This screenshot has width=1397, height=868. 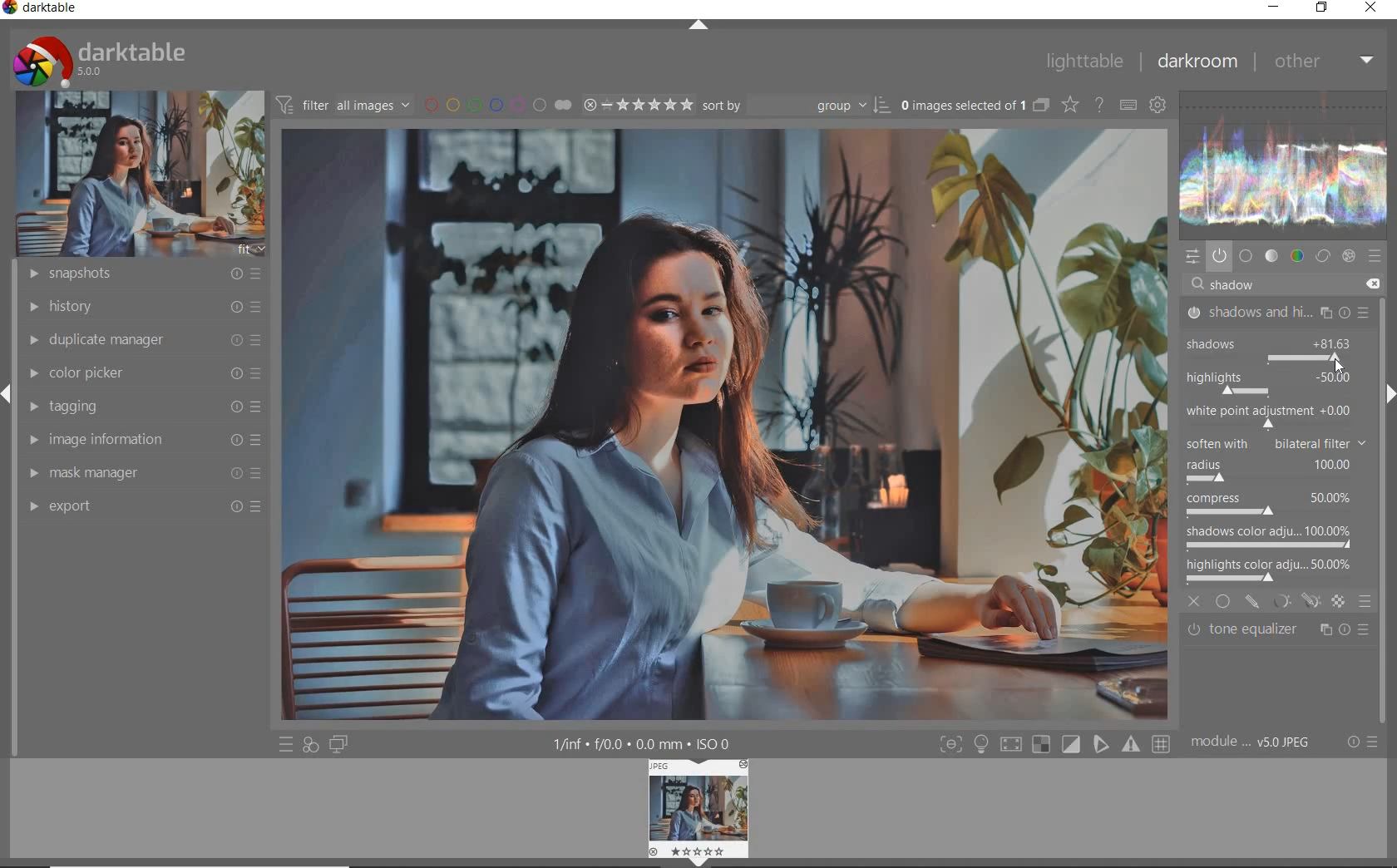 What do you see at coordinates (1272, 568) in the screenshot?
I see `highlights color adjustment` at bounding box center [1272, 568].